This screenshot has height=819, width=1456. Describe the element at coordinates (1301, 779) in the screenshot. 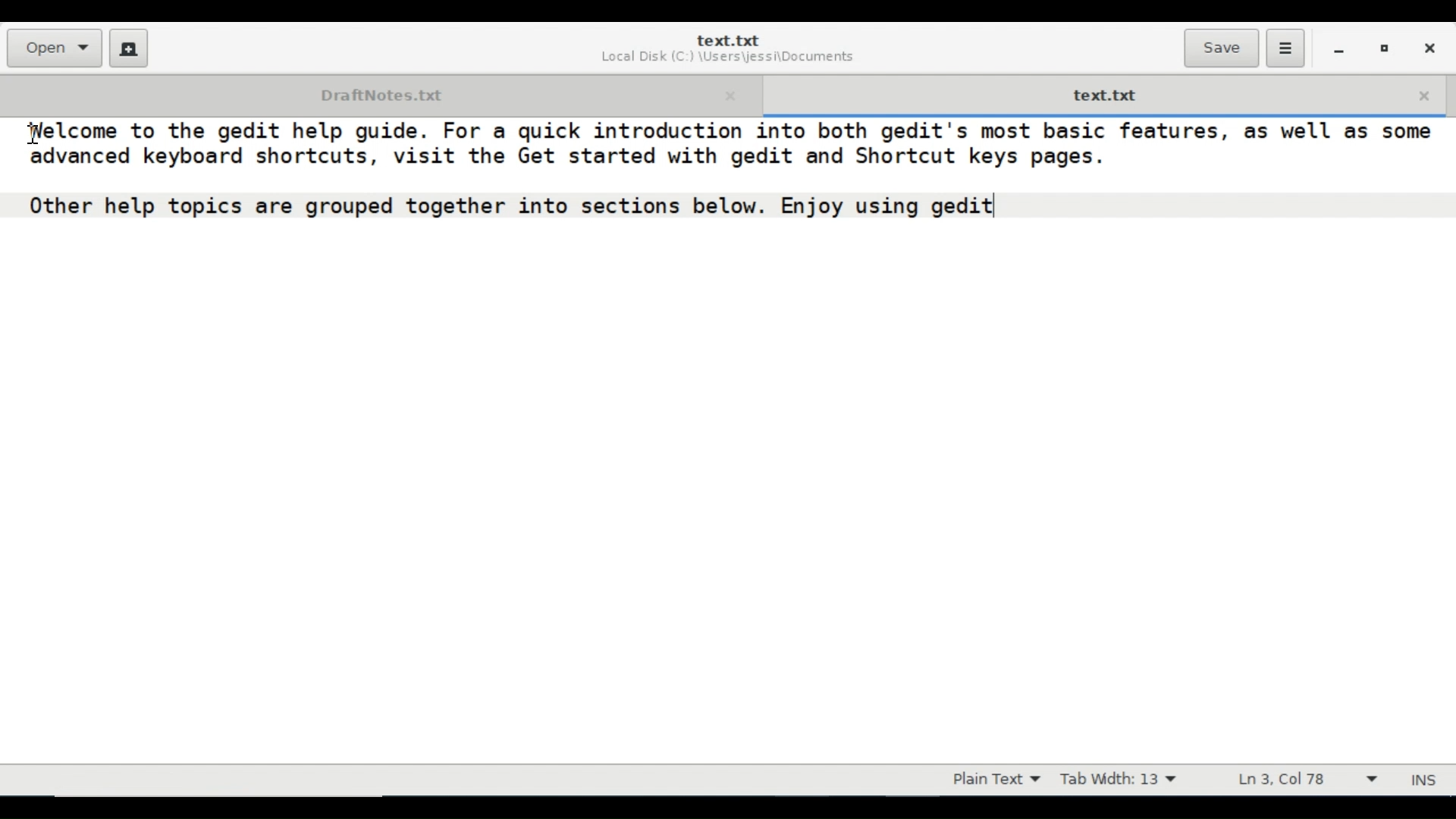

I see `Line & Column` at that location.